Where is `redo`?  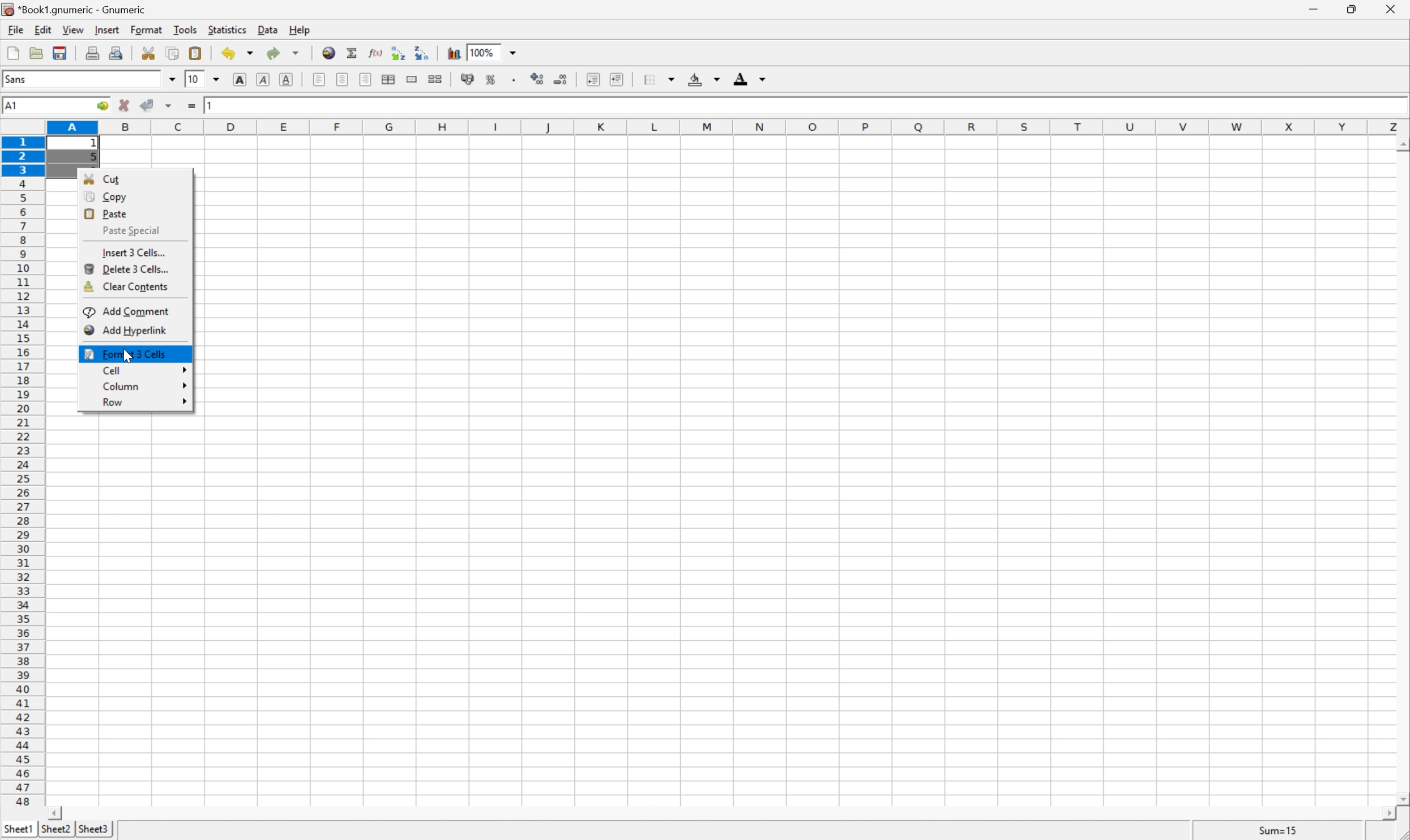
redo is located at coordinates (283, 53).